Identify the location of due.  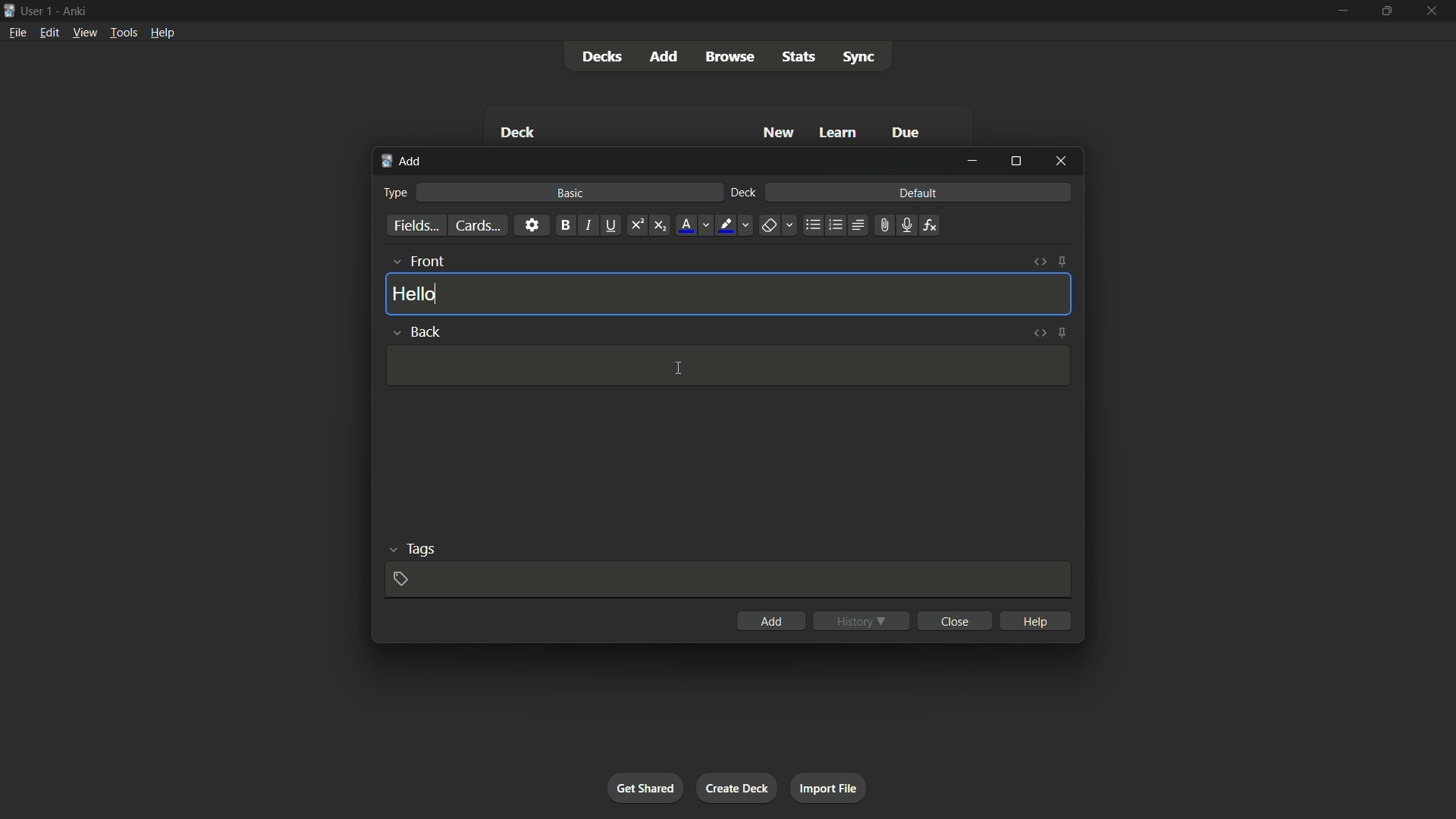
(908, 131).